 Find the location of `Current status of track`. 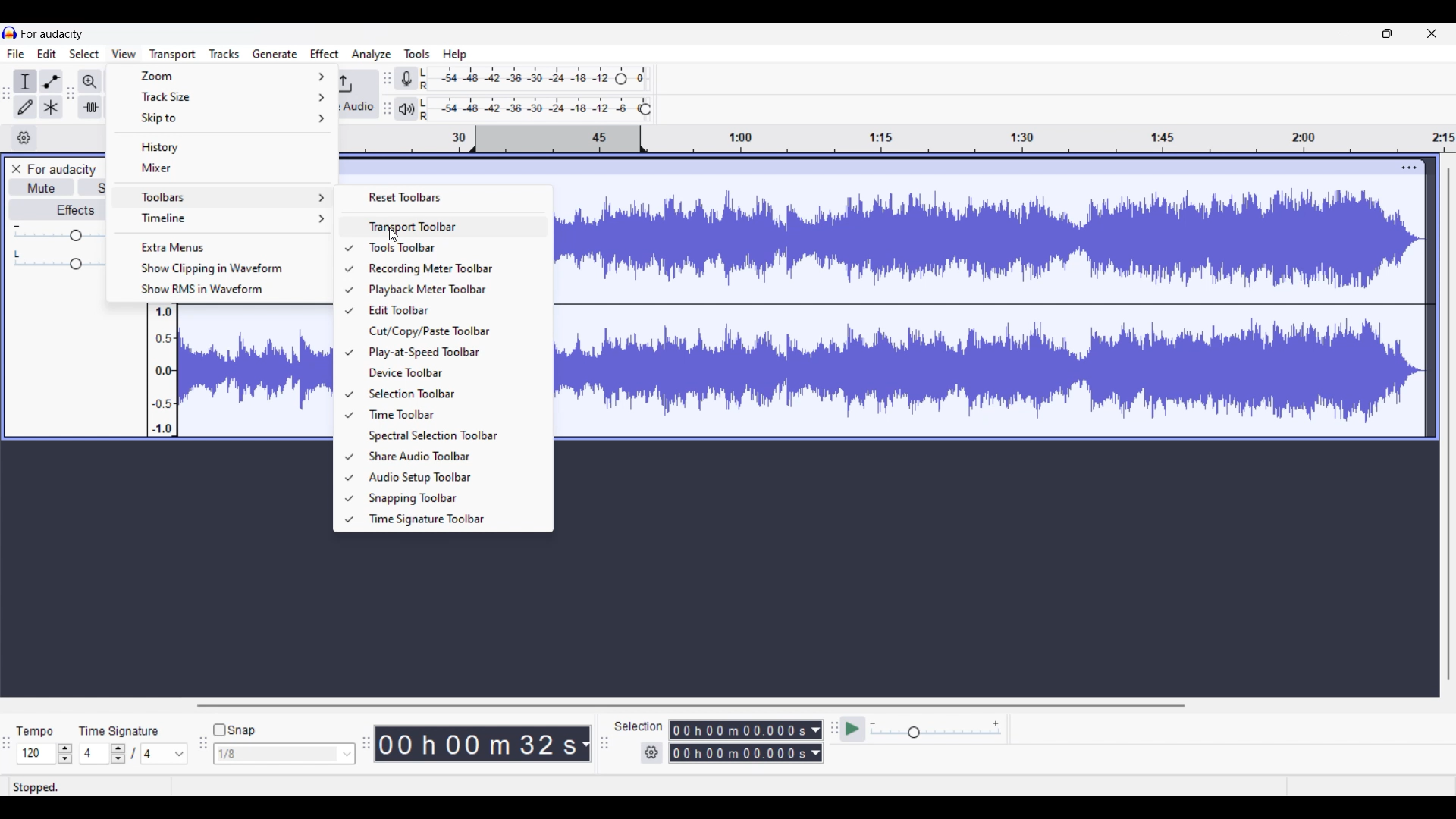

Current status of track is located at coordinates (36, 786).